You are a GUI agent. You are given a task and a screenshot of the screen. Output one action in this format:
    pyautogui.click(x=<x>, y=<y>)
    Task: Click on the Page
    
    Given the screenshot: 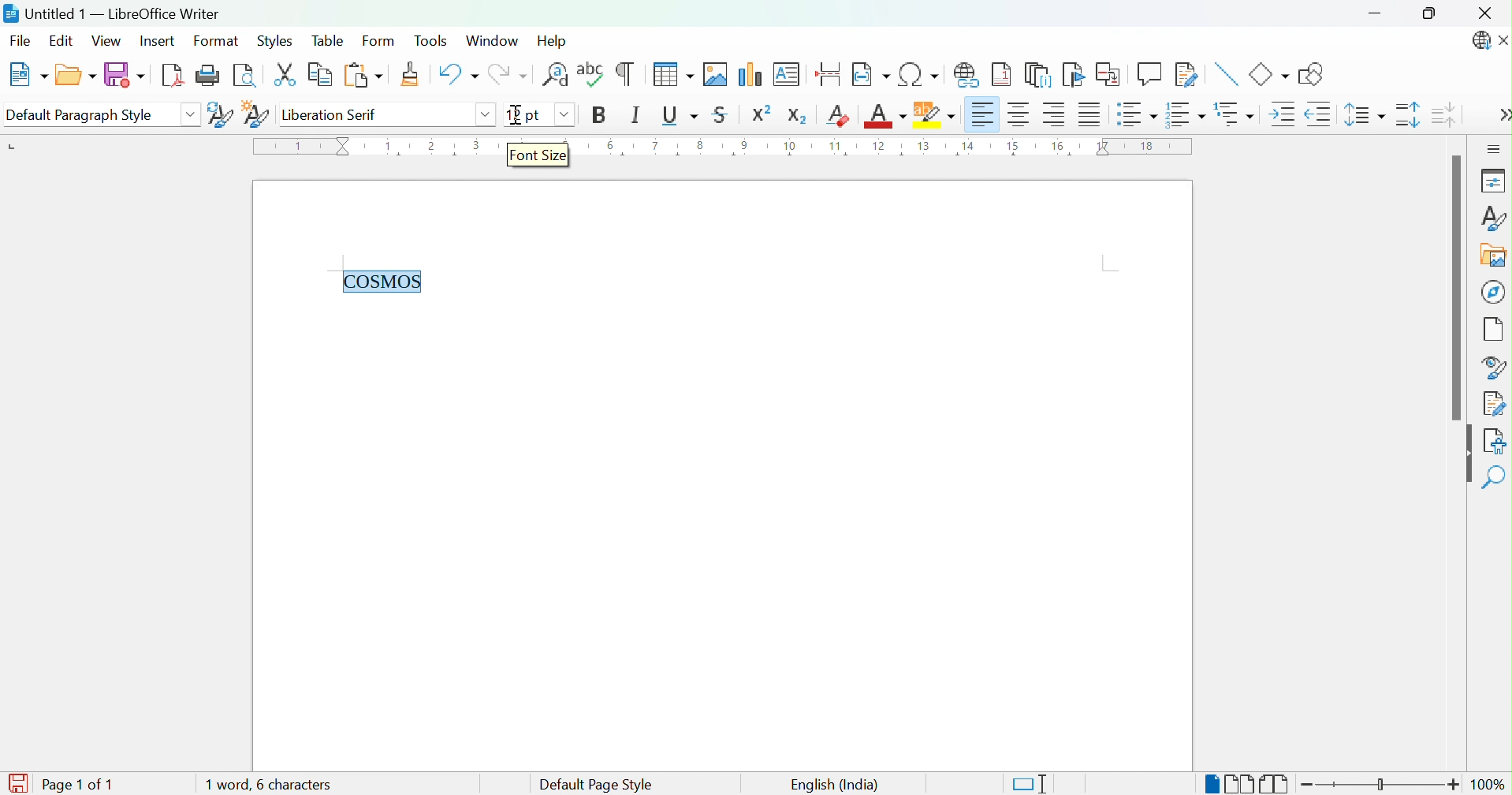 What is the action you would take?
    pyautogui.click(x=1495, y=328)
    